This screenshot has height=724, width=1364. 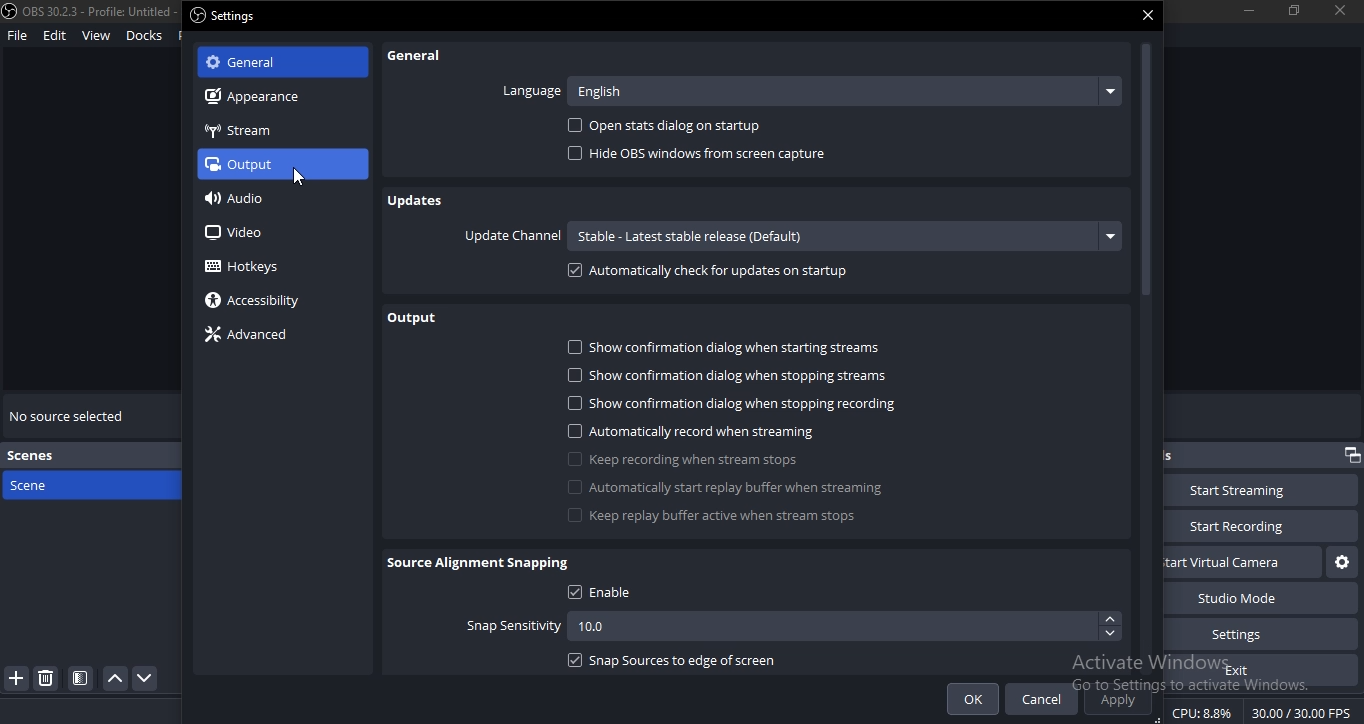 I want to click on update channel, so click(x=789, y=236).